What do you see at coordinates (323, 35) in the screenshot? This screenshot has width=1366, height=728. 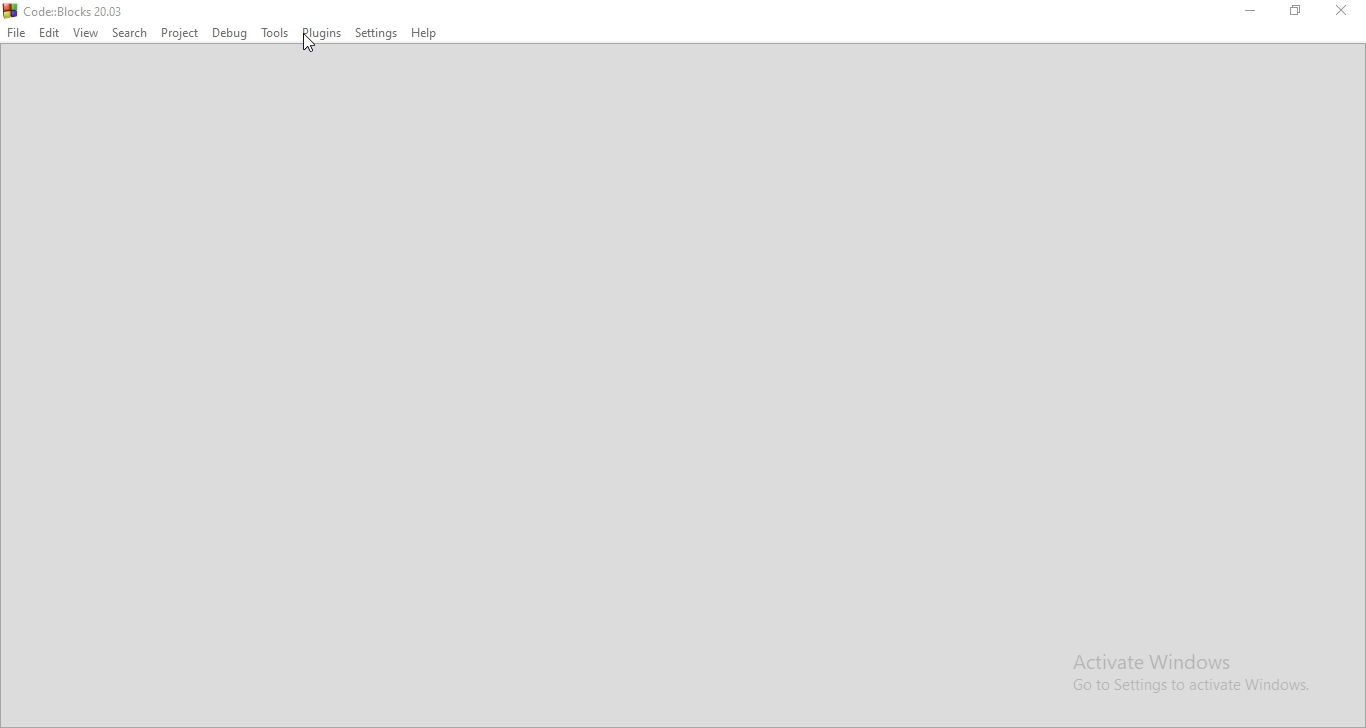 I see `plugins` at bounding box center [323, 35].